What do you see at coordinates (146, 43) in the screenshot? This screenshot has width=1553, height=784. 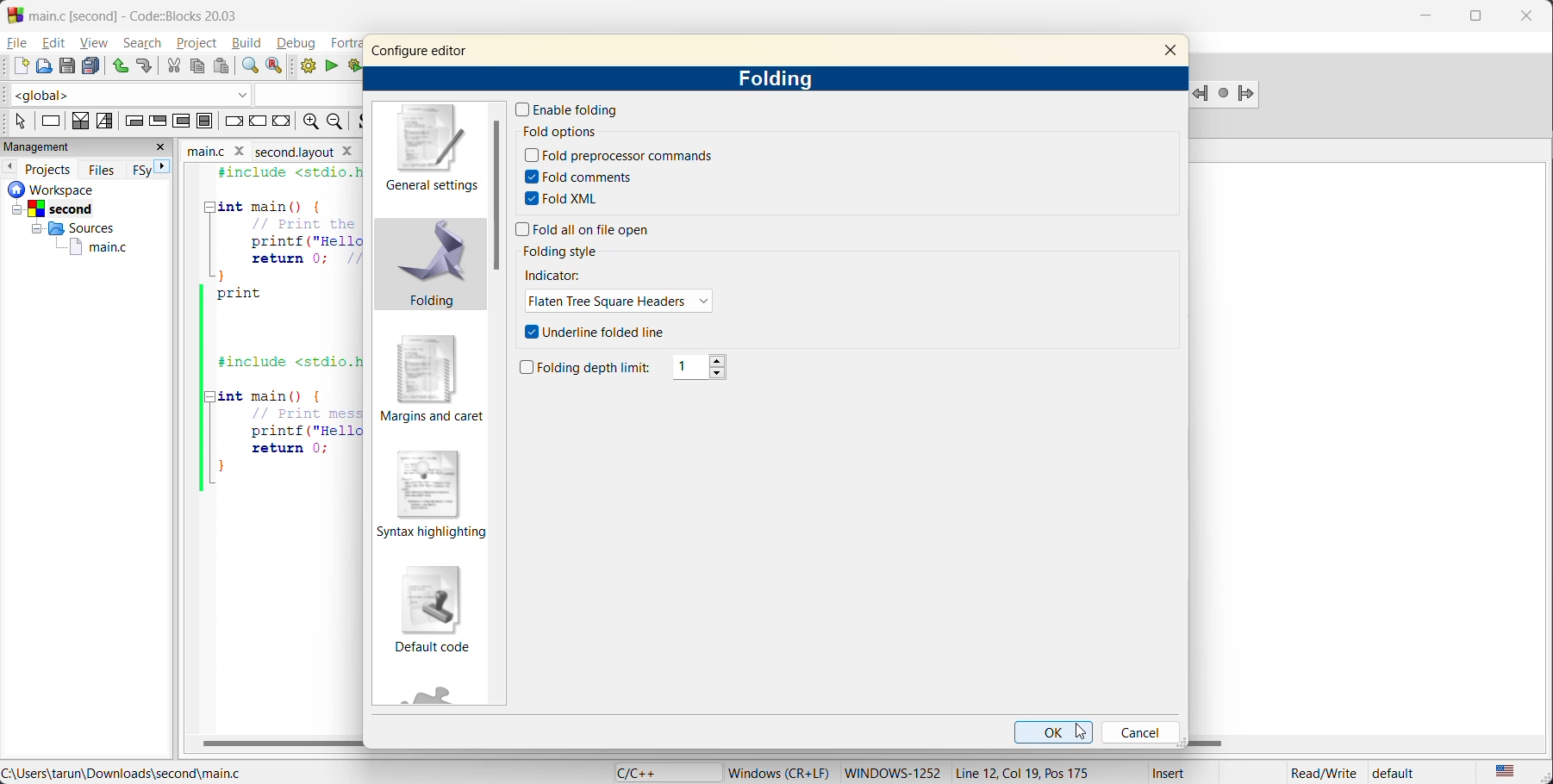 I see `search` at bounding box center [146, 43].